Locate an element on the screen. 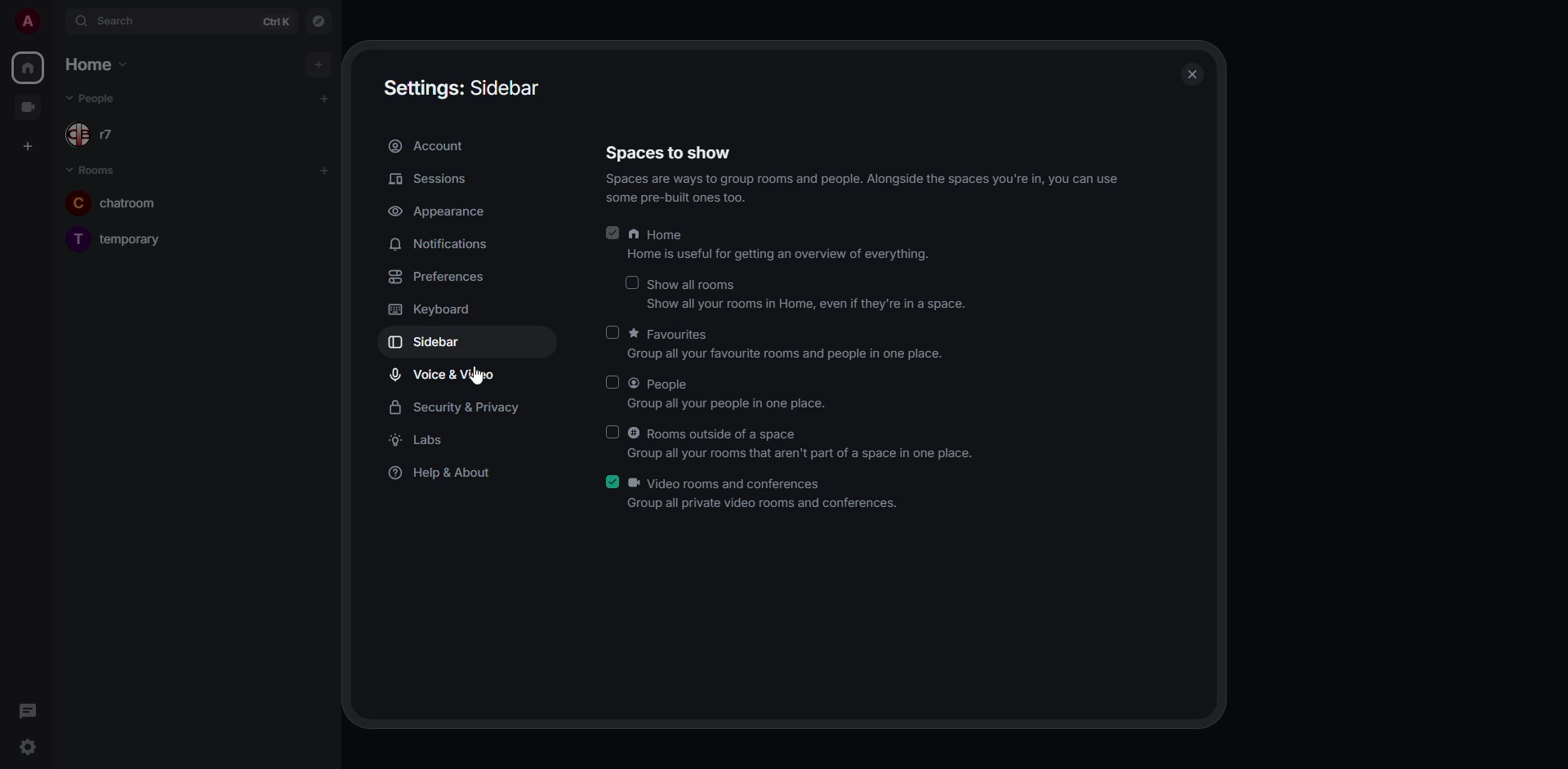 The height and width of the screenshot is (769, 1568). video rooms and conferences is located at coordinates (771, 496).